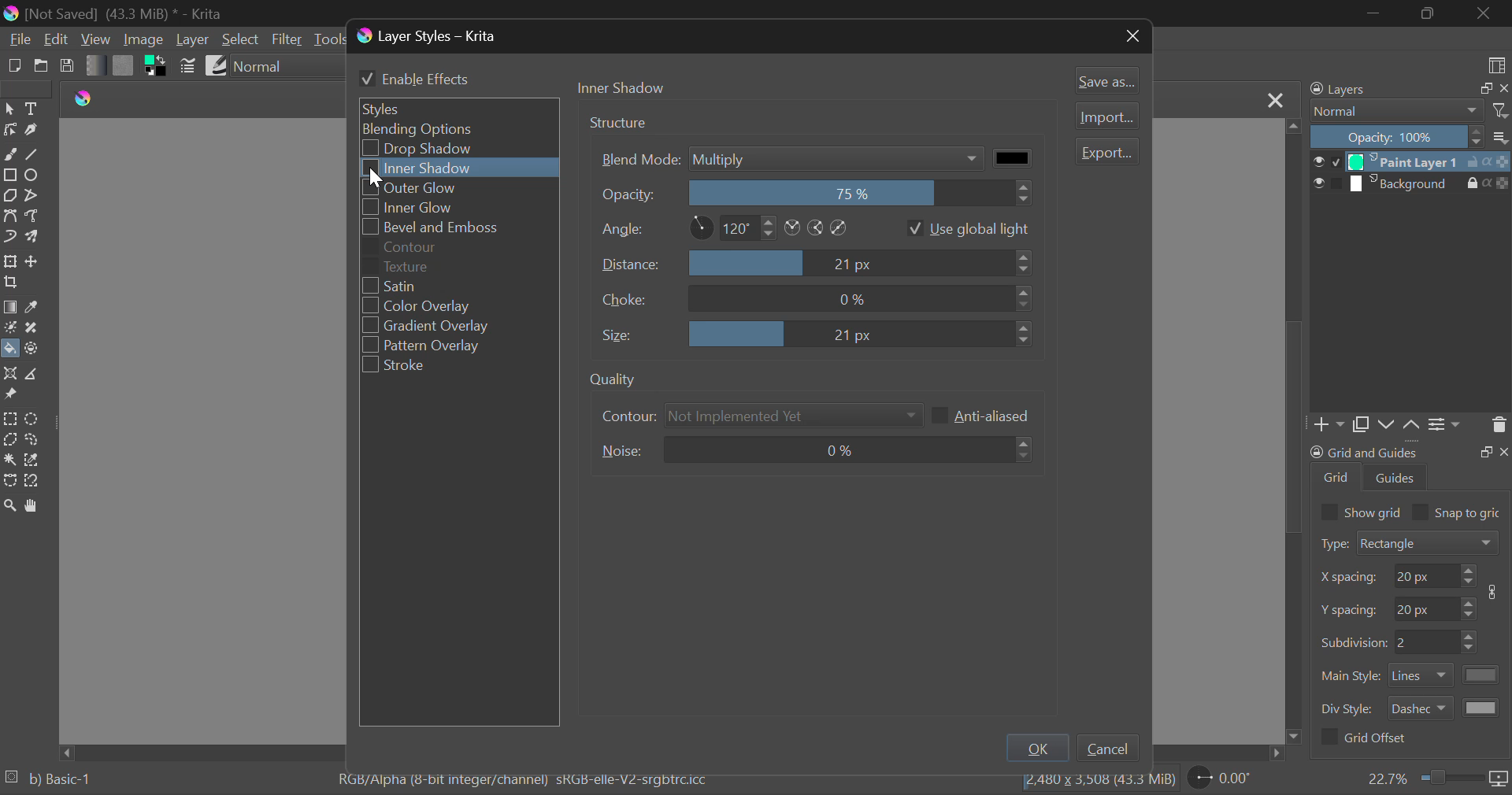 This screenshot has width=1512, height=795. I want to click on Ellipses Selected , so click(31, 175).